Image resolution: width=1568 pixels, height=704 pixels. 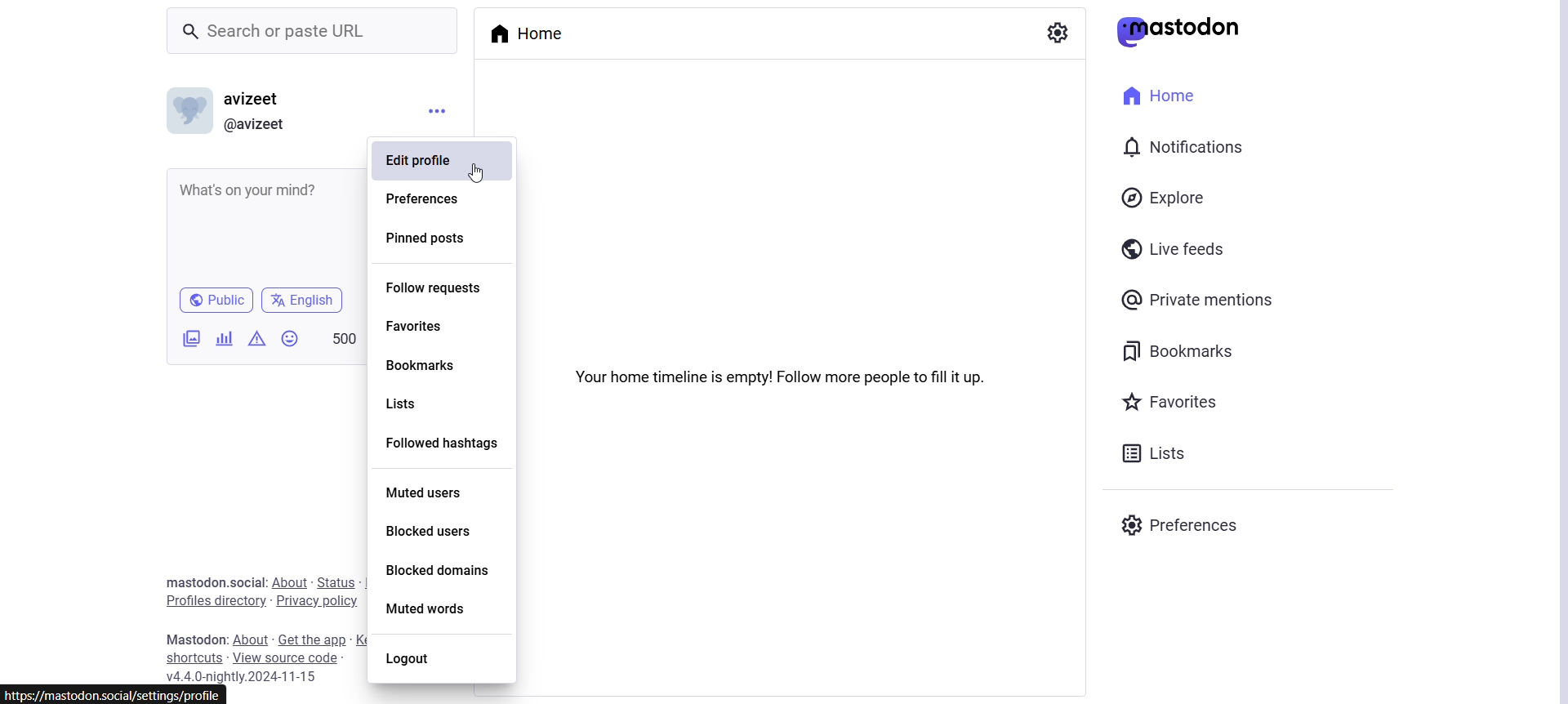 I want to click on Explore, so click(x=1171, y=196).